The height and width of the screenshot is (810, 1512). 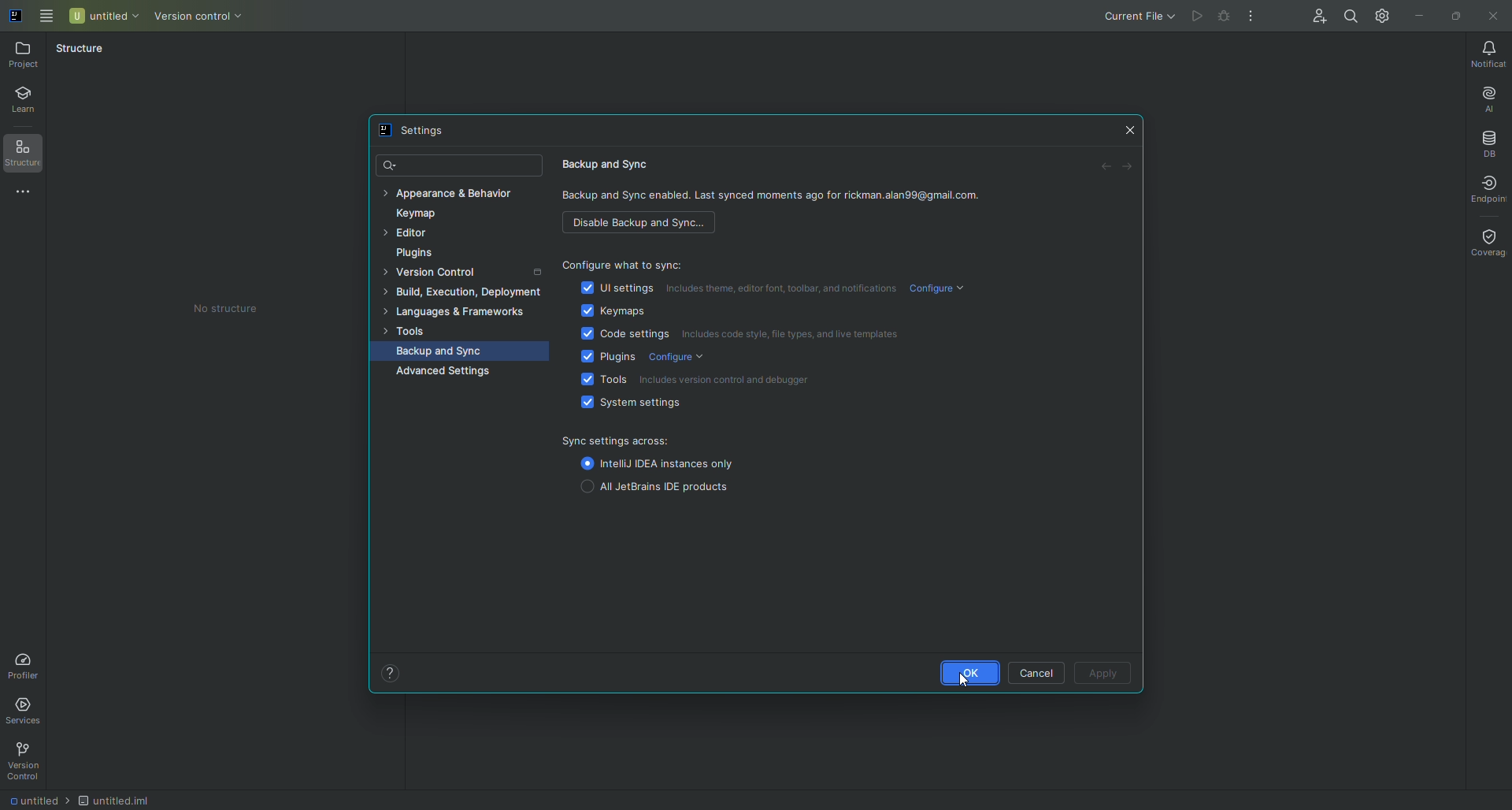 What do you see at coordinates (29, 155) in the screenshot?
I see `Structure` at bounding box center [29, 155].